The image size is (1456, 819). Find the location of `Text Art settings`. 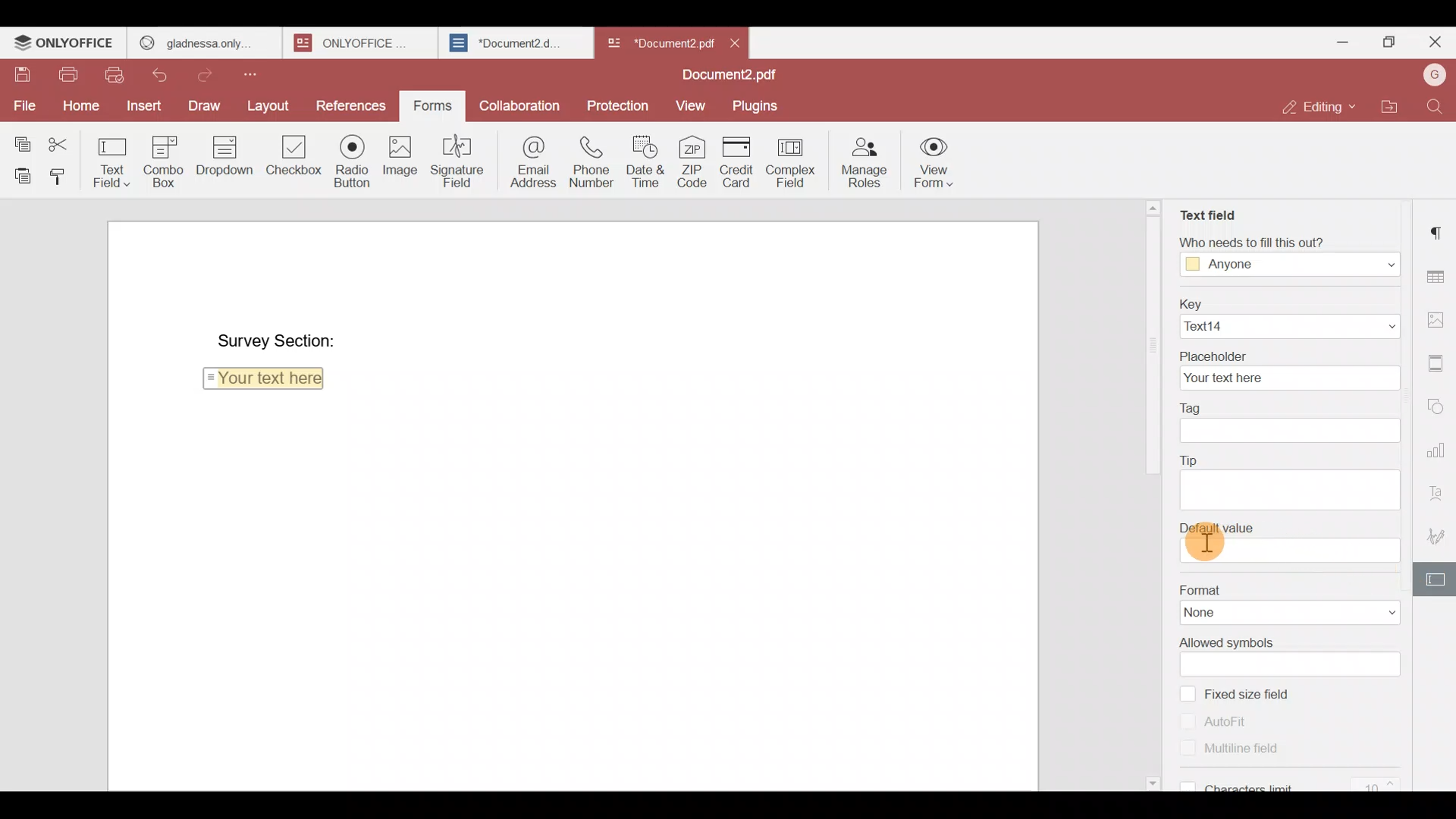

Text Art settings is located at coordinates (1439, 491).